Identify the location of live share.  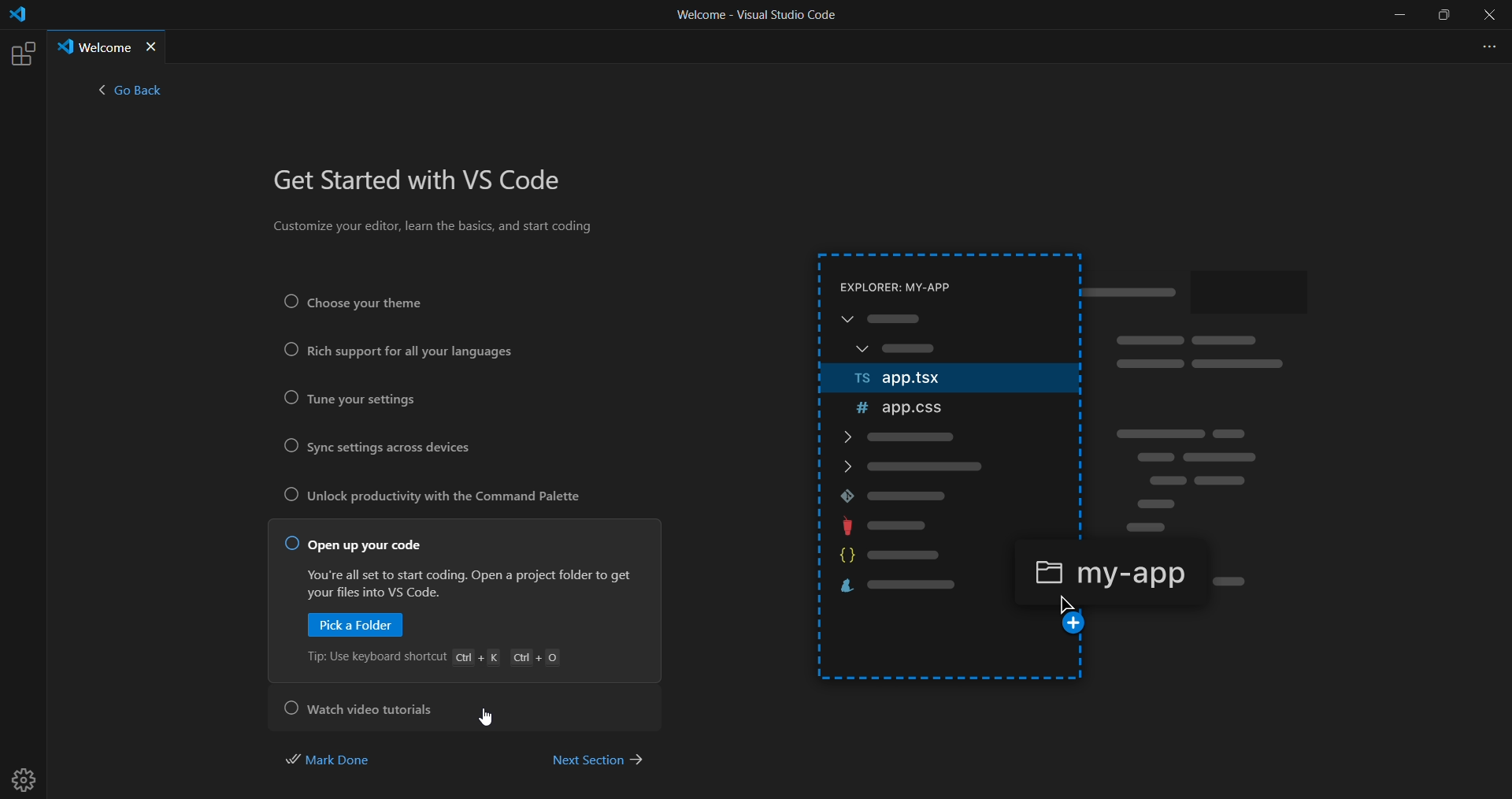
(912, 589).